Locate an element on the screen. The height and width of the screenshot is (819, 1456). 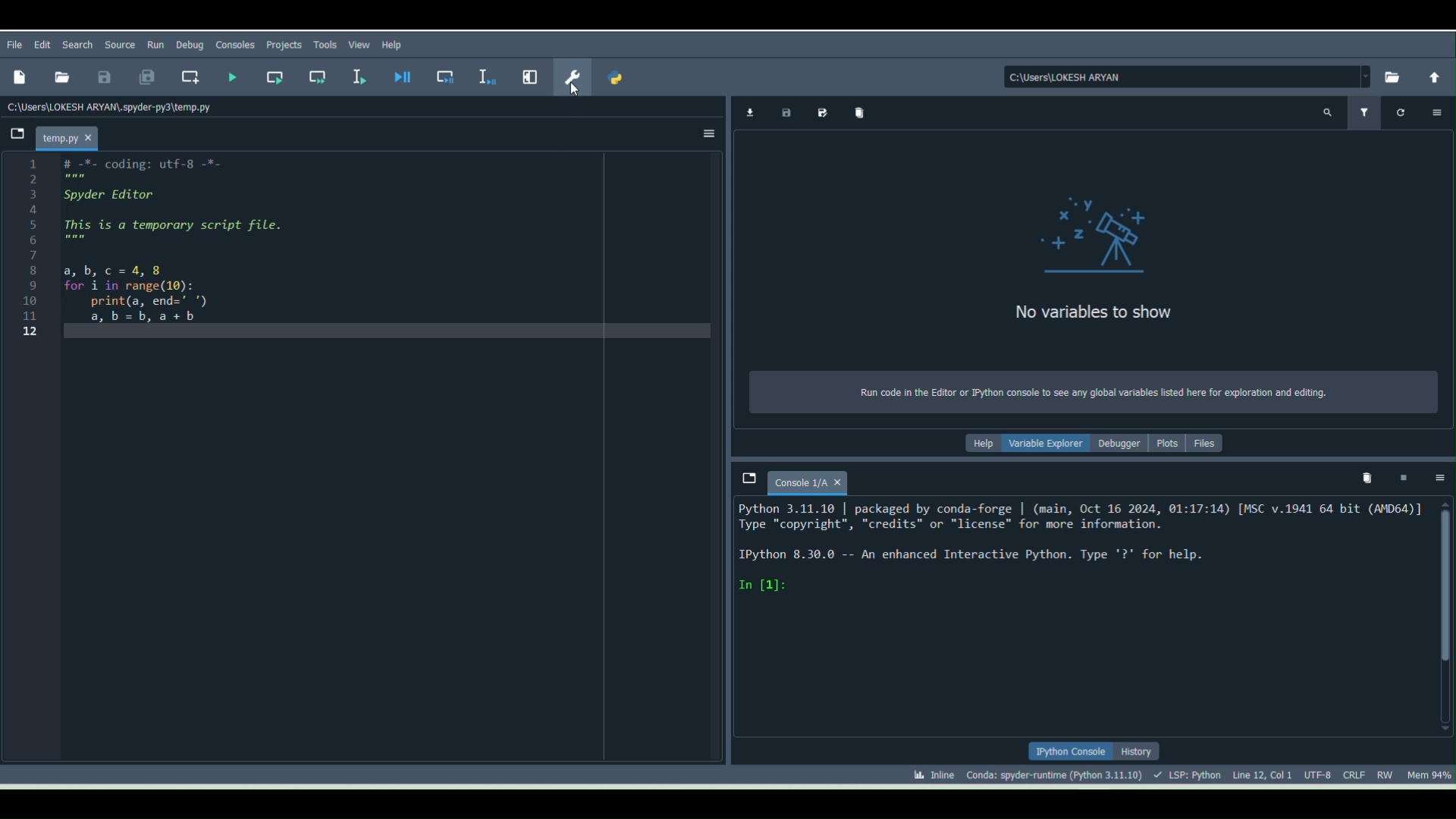
Consoles is located at coordinates (233, 47).